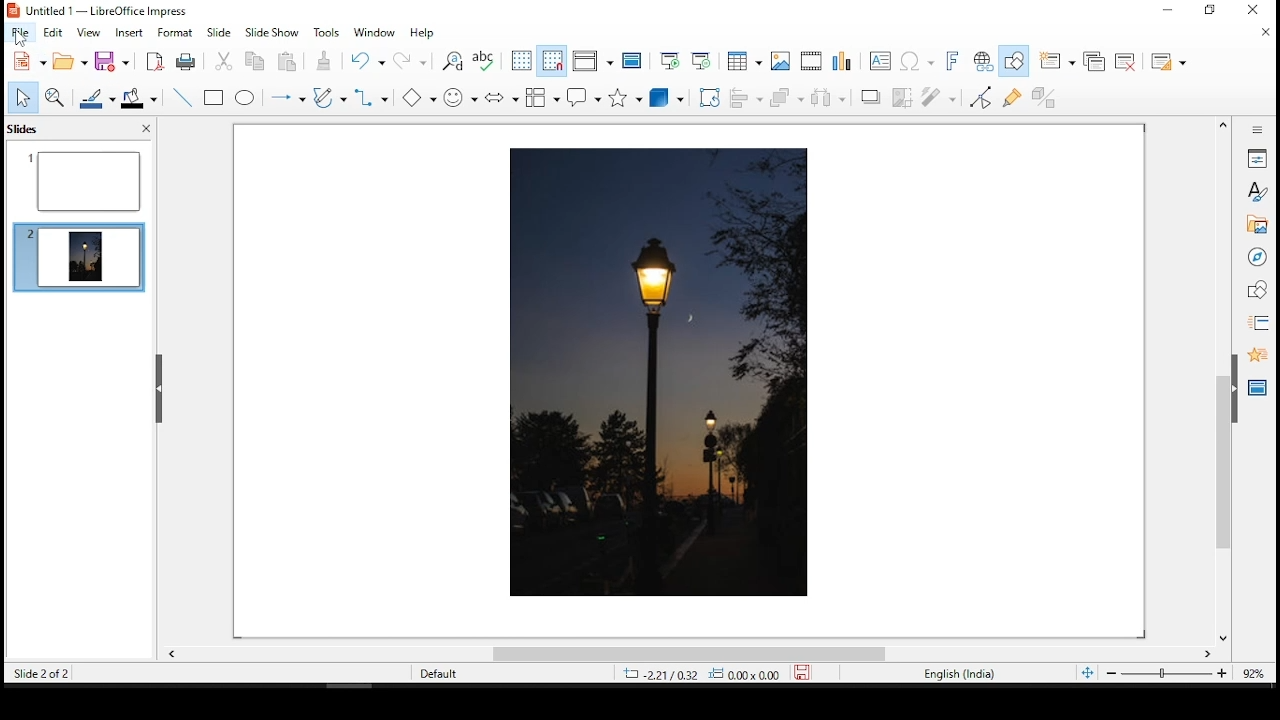 This screenshot has width=1280, height=720. What do you see at coordinates (450, 59) in the screenshot?
I see `find and replace` at bounding box center [450, 59].